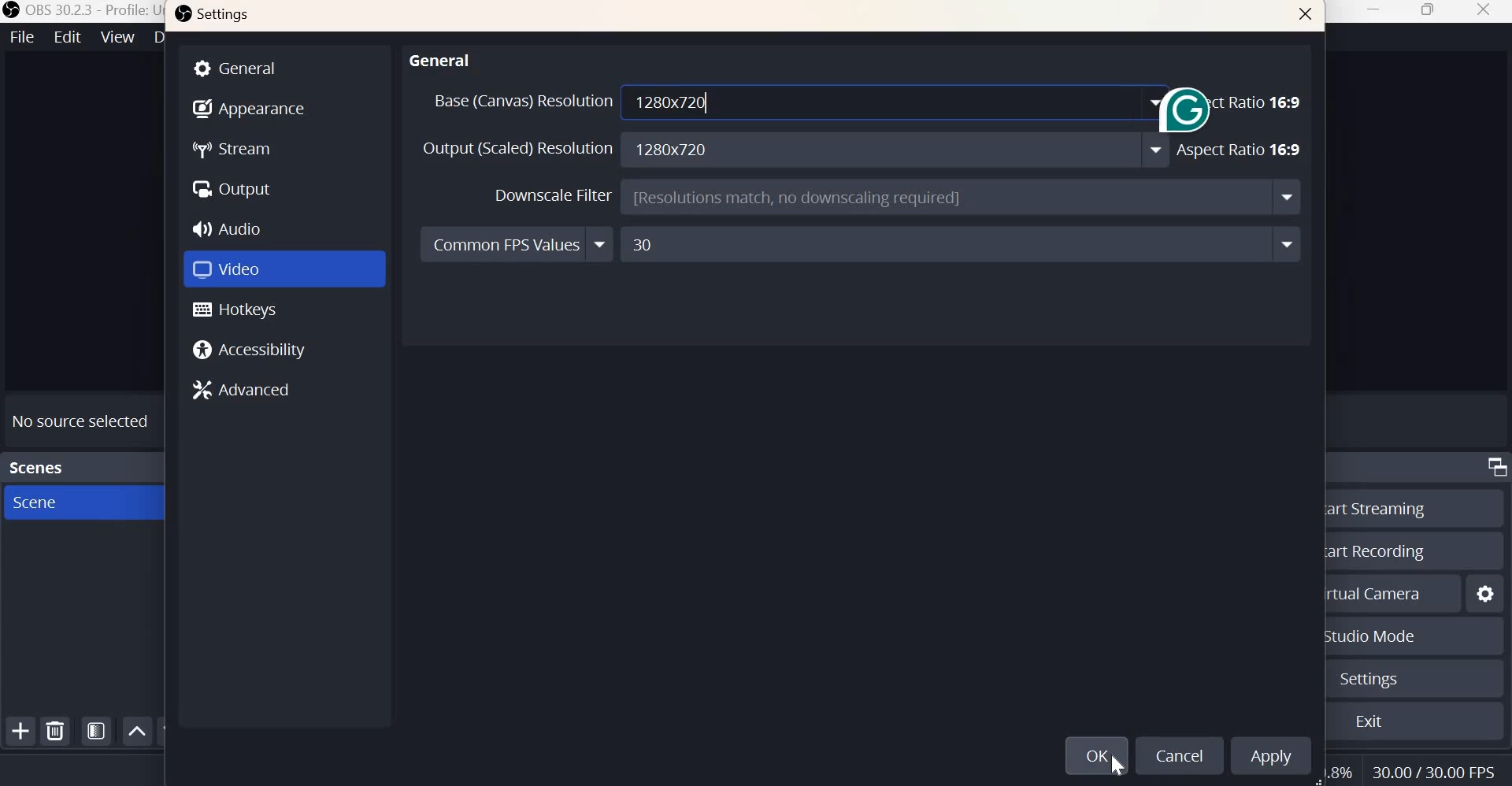 The image size is (1512, 786). I want to click on Advances, so click(249, 391).